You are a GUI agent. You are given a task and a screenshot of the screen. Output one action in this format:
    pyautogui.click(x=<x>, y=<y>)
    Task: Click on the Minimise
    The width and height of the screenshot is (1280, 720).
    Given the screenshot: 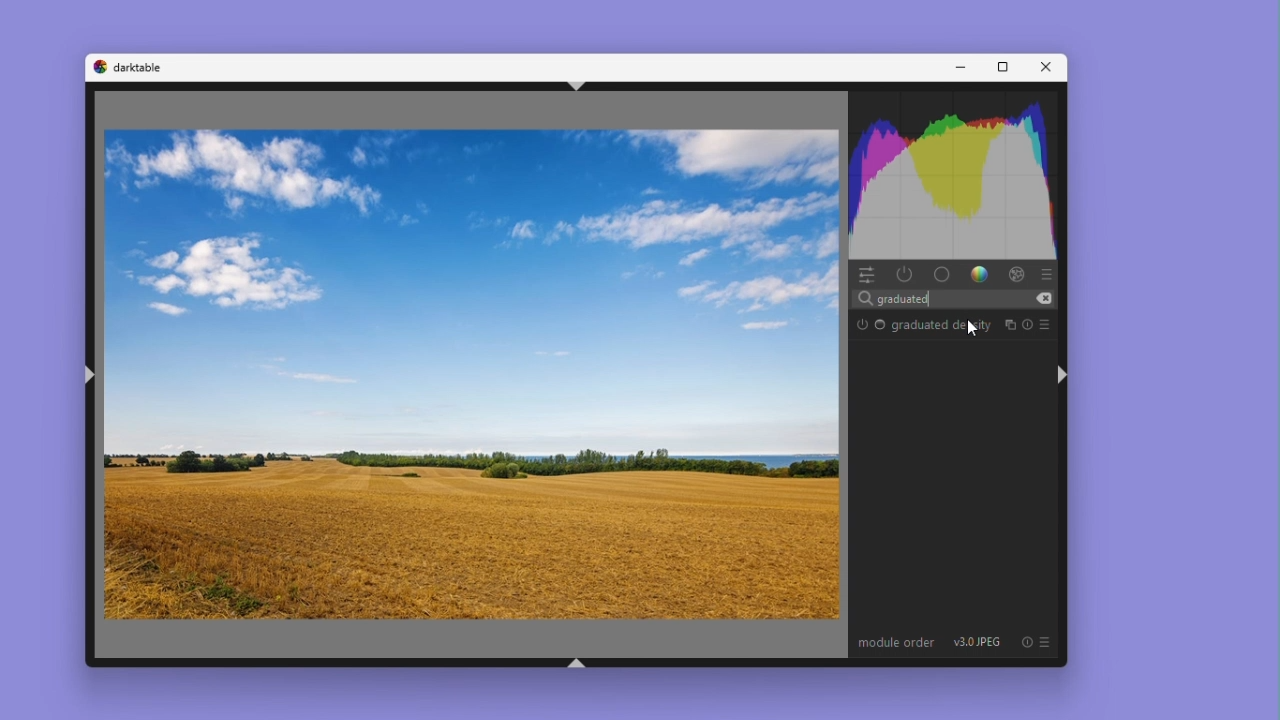 What is the action you would take?
    pyautogui.click(x=959, y=67)
    